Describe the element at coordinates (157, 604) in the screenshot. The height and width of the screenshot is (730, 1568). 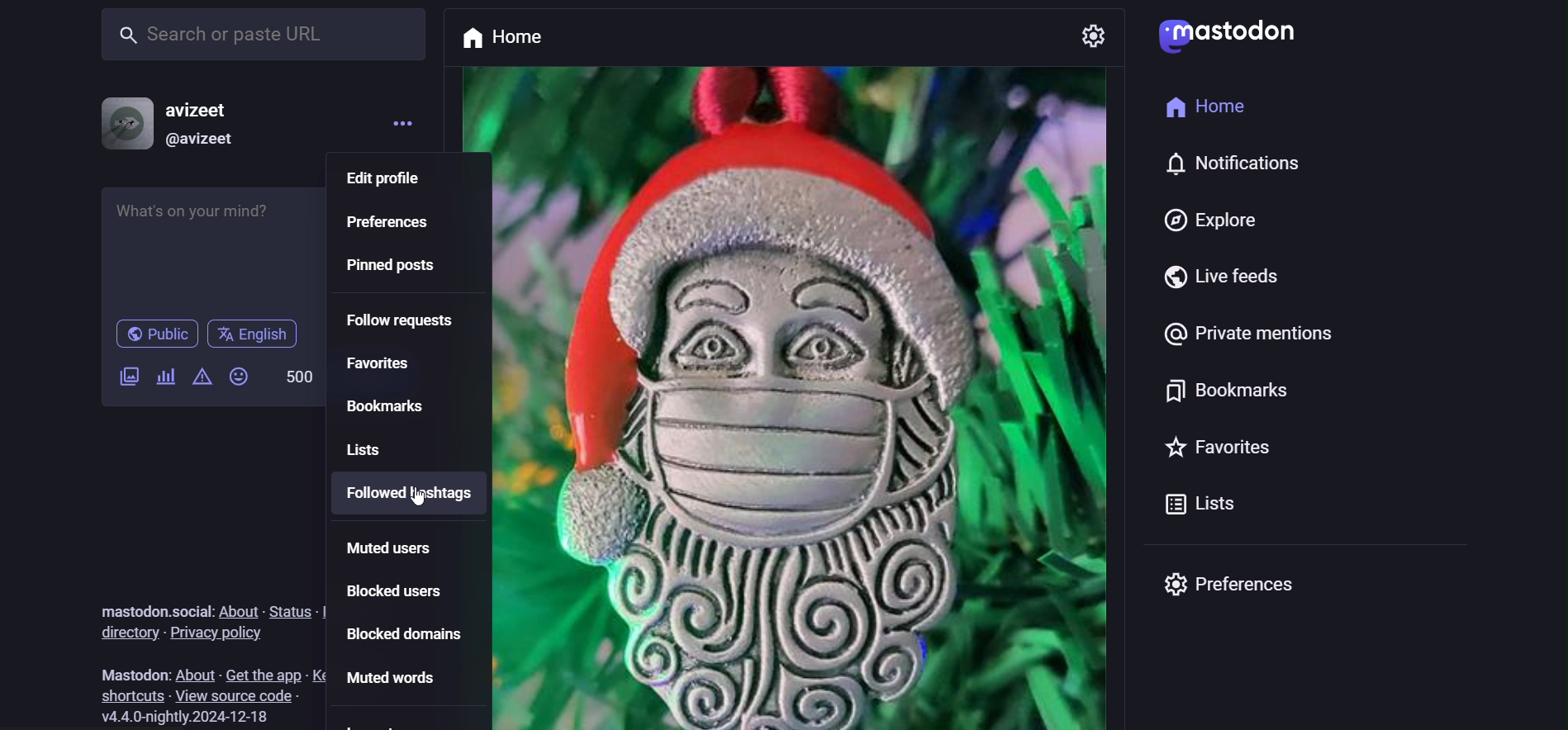
I see `Mastodon.social` at that location.